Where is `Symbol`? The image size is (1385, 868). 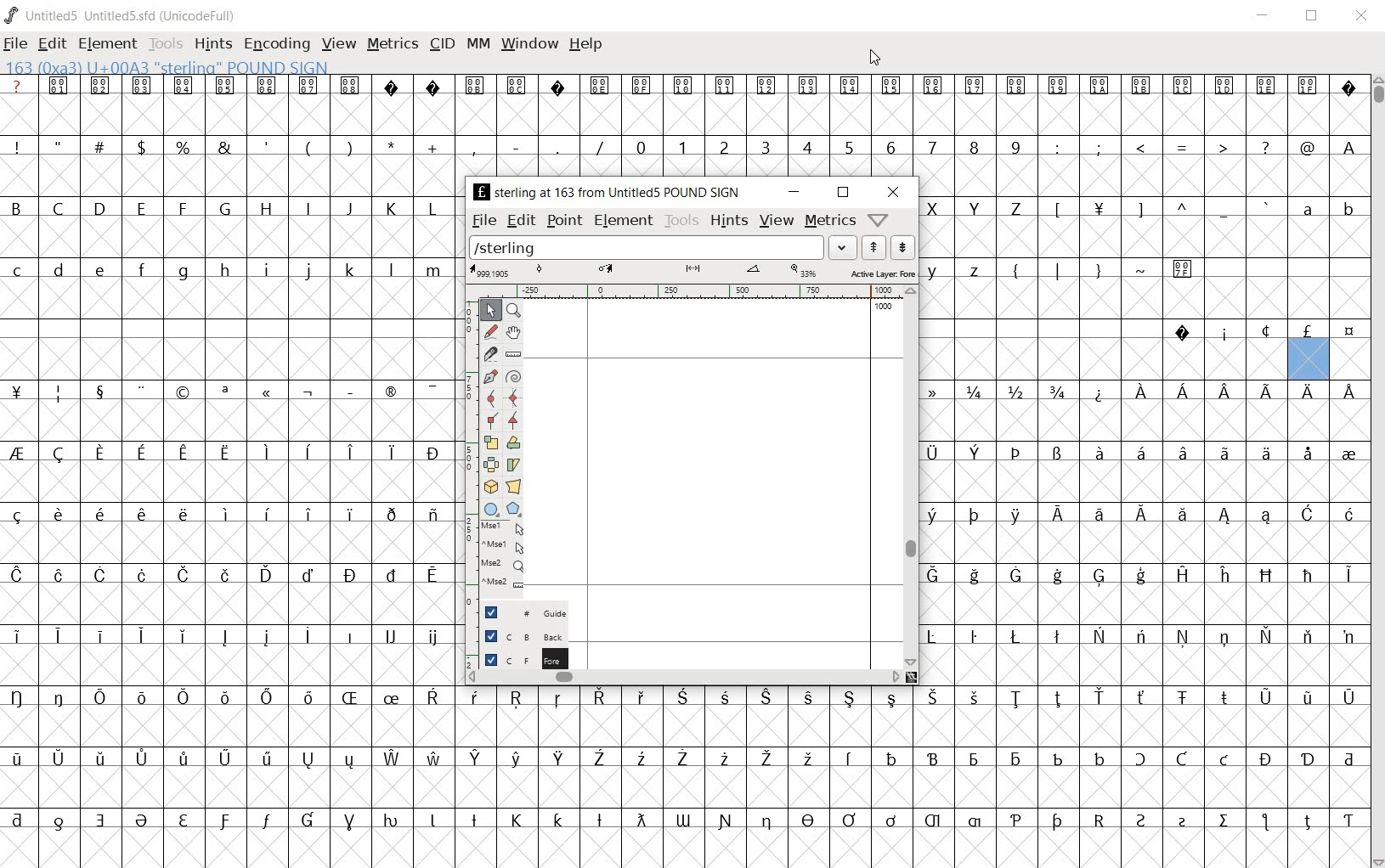
Symbol is located at coordinates (1143, 760).